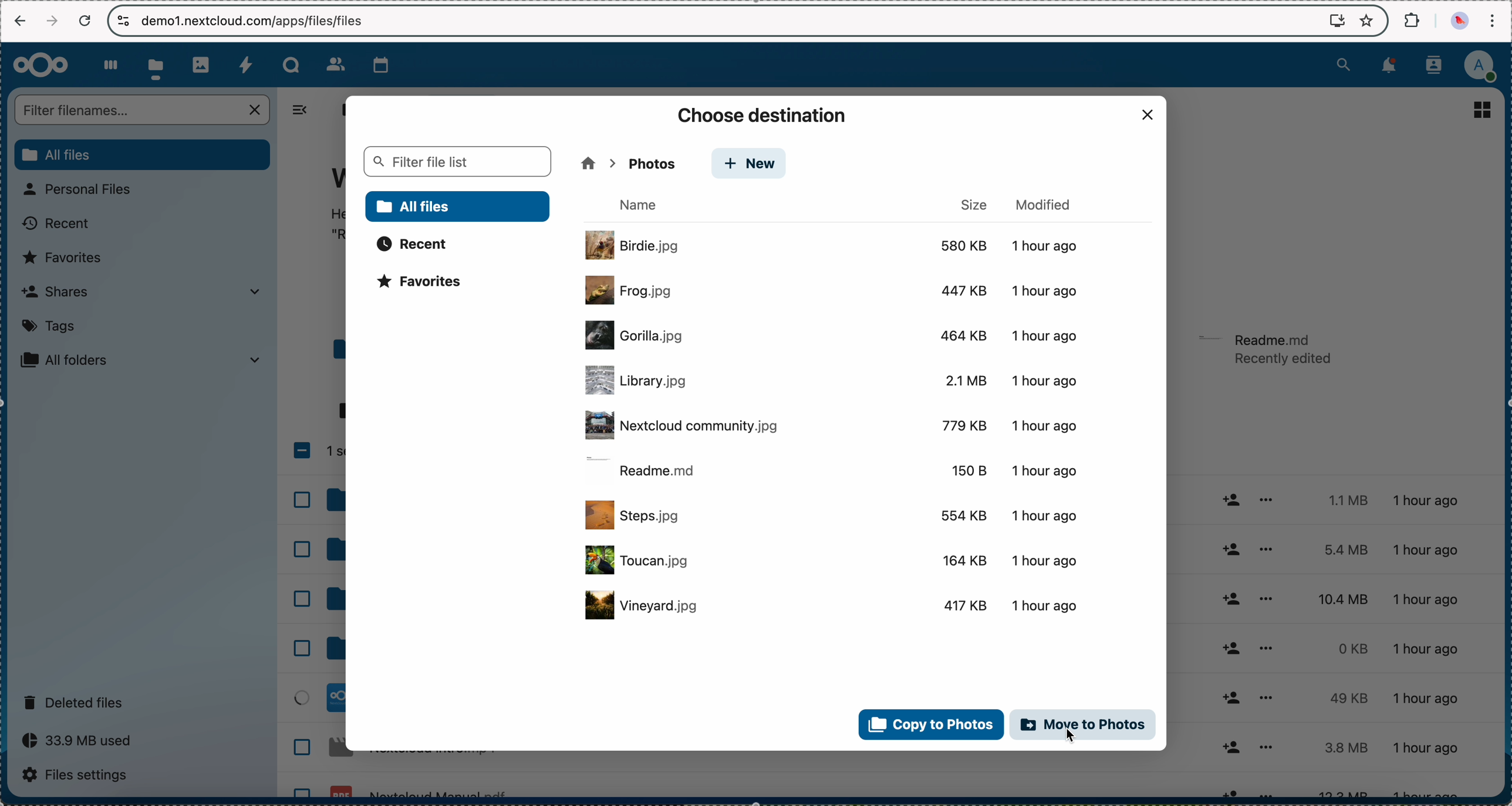 Image resolution: width=1512 pixels, height=806 pixels. I want to click on file, so click(835, 515).